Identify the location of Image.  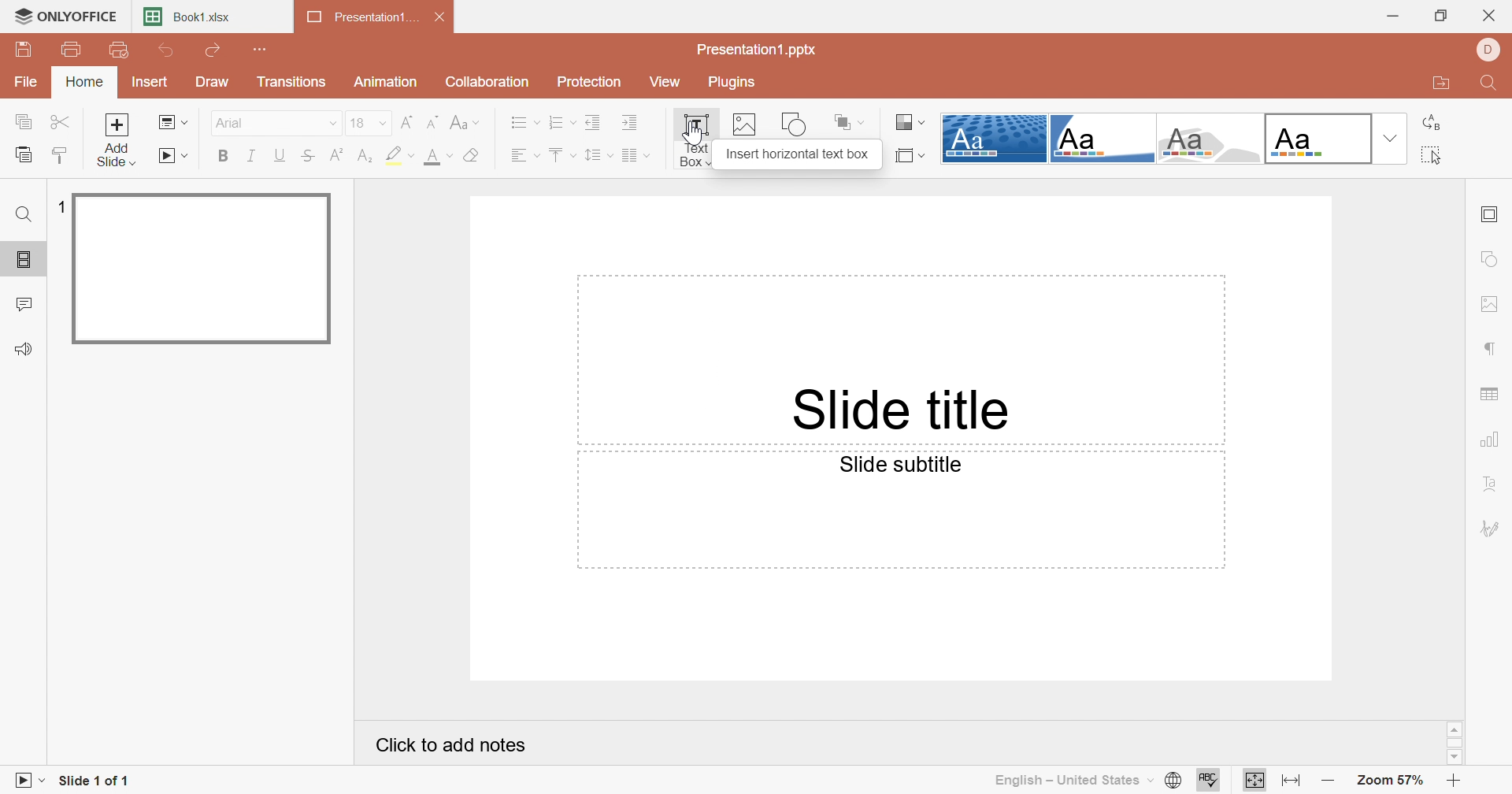
(746, 126).